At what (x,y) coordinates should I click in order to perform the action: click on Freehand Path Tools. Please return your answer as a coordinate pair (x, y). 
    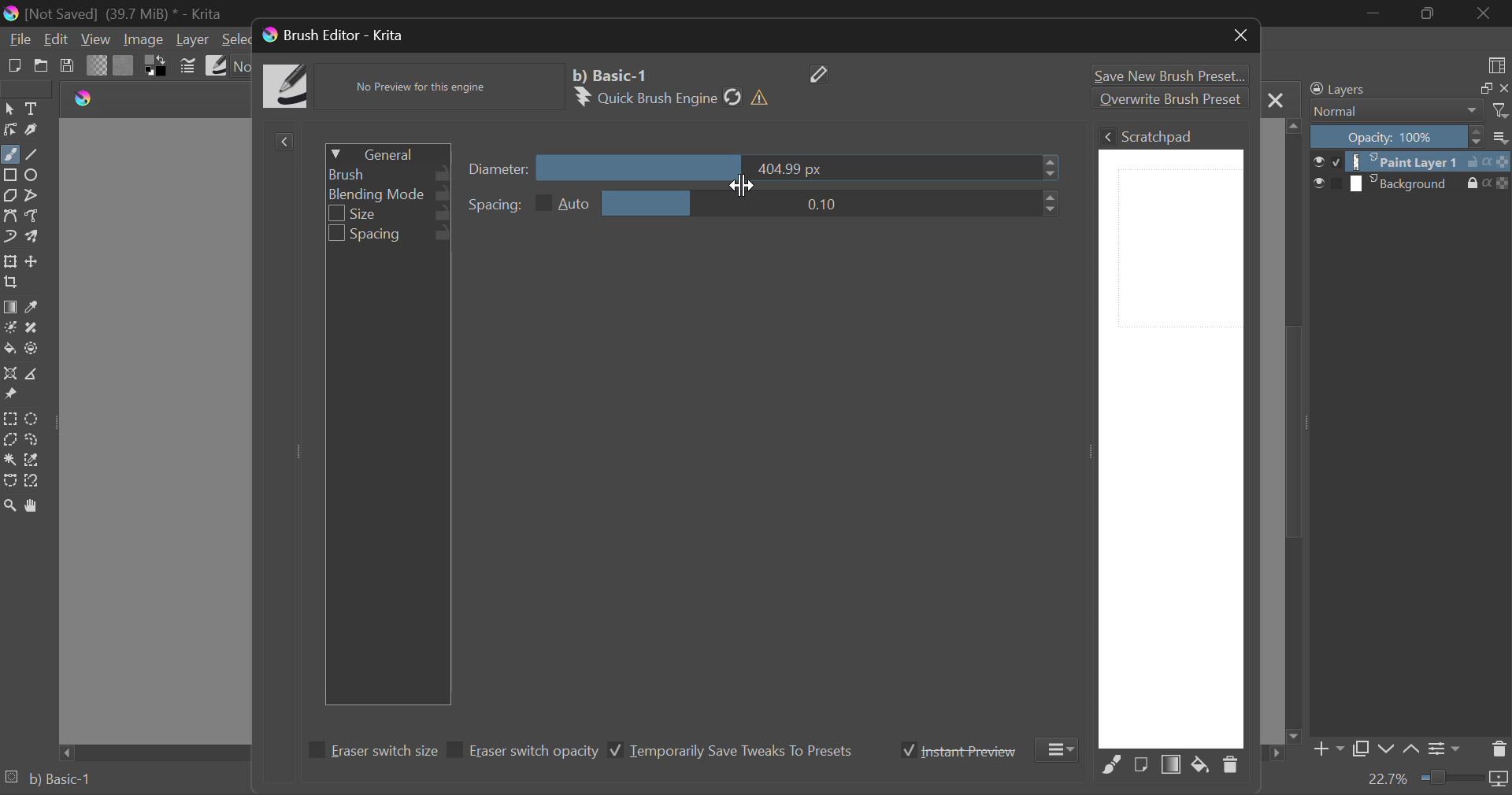
    Looking at the image, I should click on (37, 215).